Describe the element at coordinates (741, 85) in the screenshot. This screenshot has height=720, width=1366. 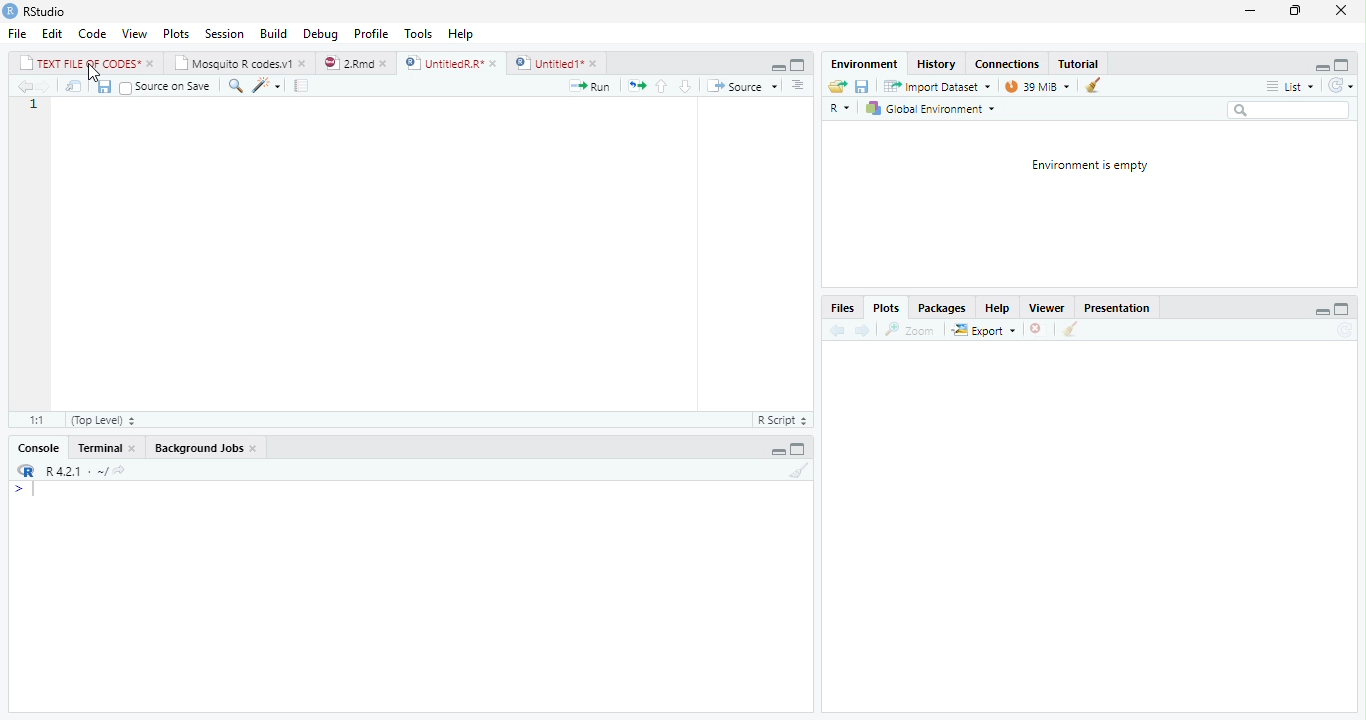
I see `Source` at that location.